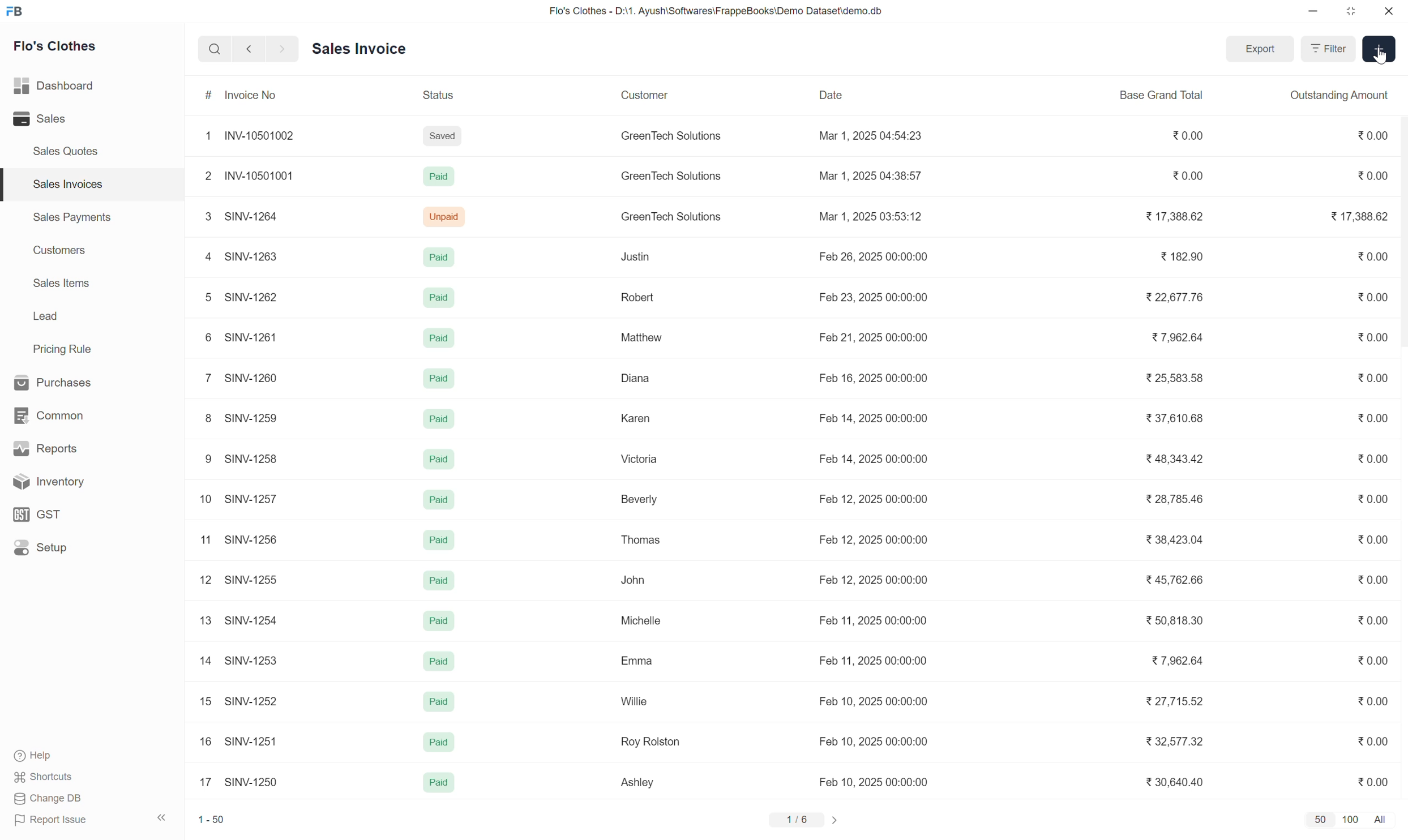 The image size is (1408, 840). I want to click on common, so click(74, 413).